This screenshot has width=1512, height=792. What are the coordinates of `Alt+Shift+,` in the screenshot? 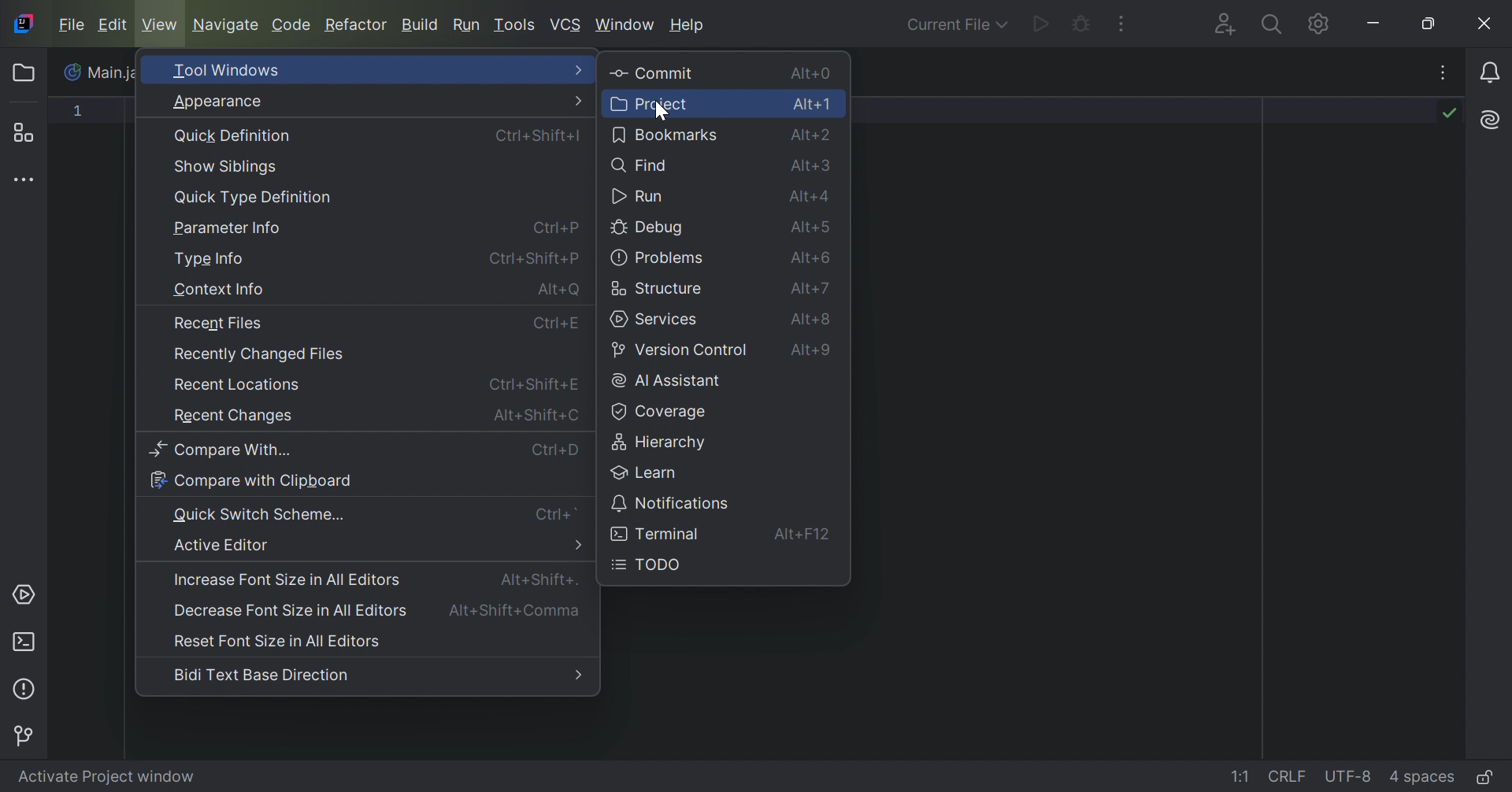 It's located at (539, 579).